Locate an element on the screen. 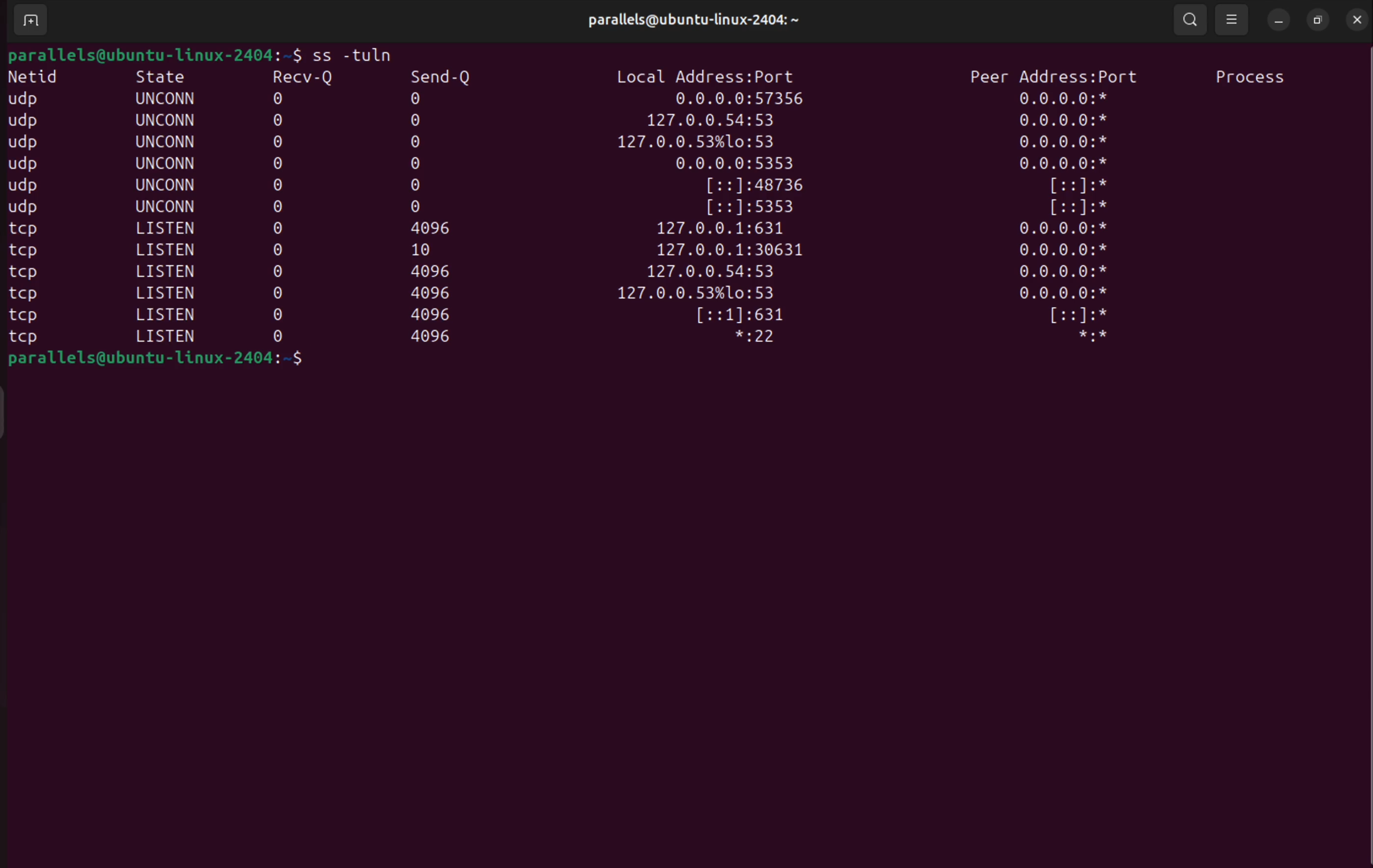 The height and width of the screenshot is (868, 1373). 0.0.0.0 is located at coordinates (1070, 251).